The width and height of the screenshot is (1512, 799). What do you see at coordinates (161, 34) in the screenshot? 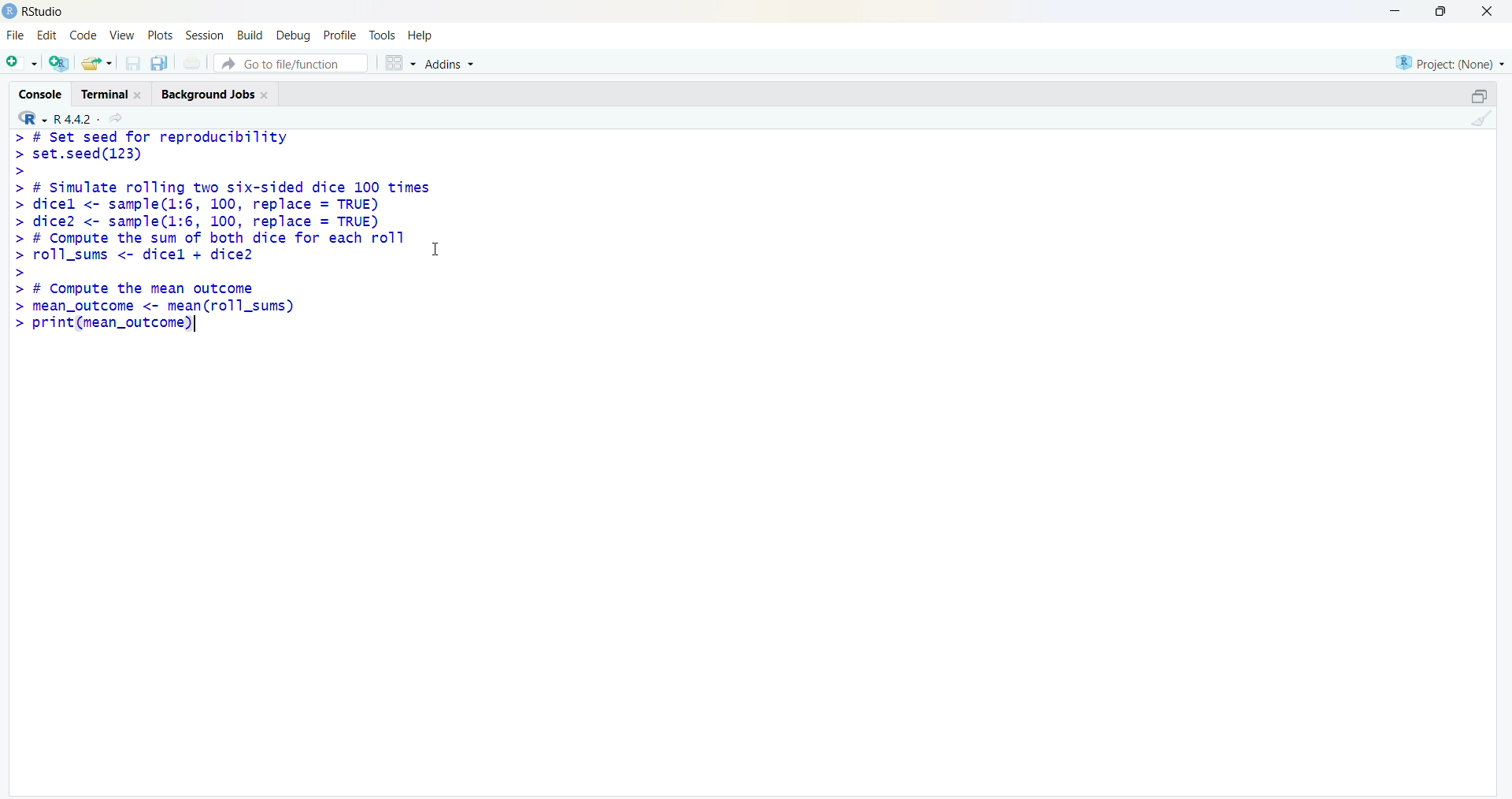
I see `plots` at bounding box center [161, 34].